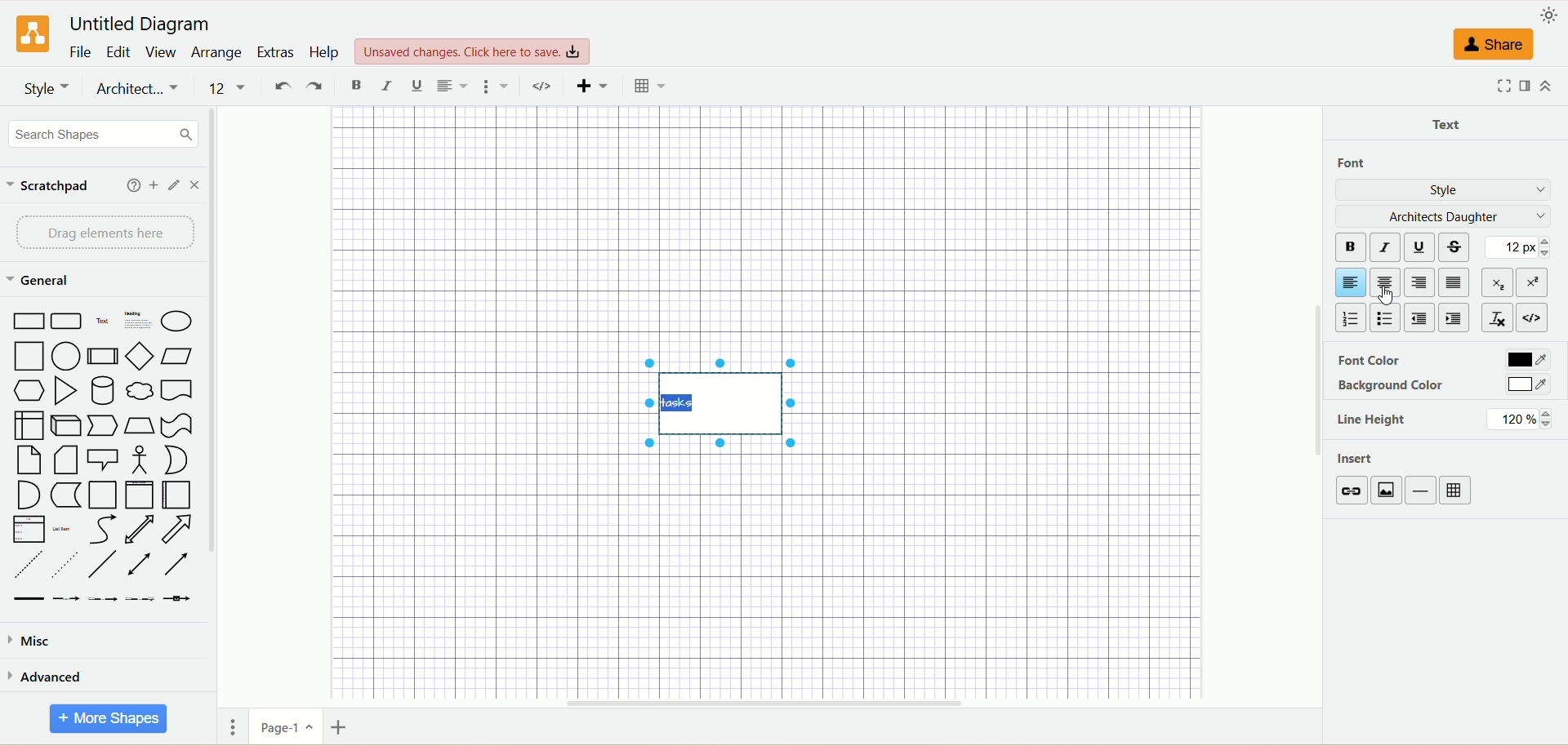  I want to click on Arrow with Node, so click(177, 599).